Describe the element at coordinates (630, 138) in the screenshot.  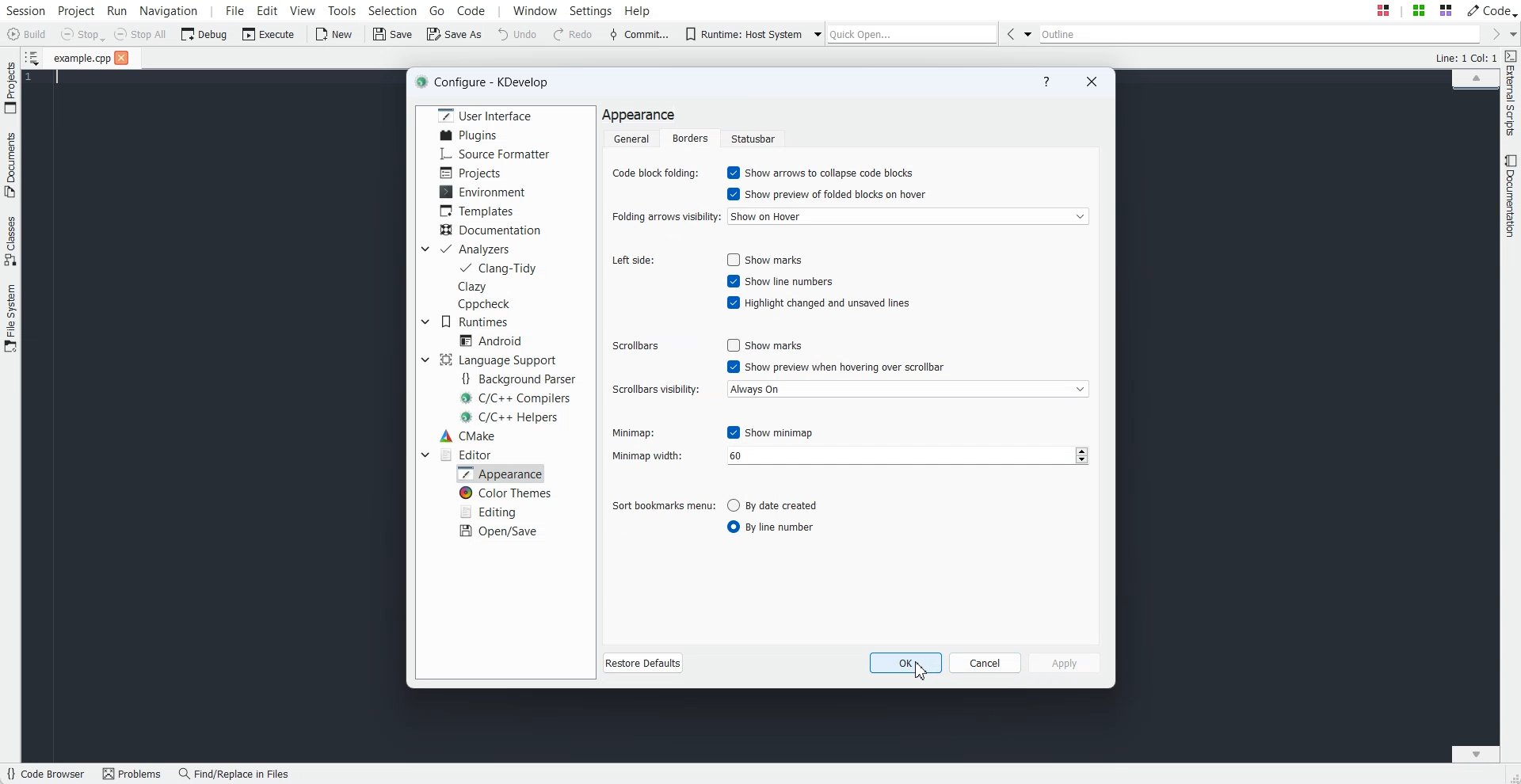
I see `General folder selected` at that location.